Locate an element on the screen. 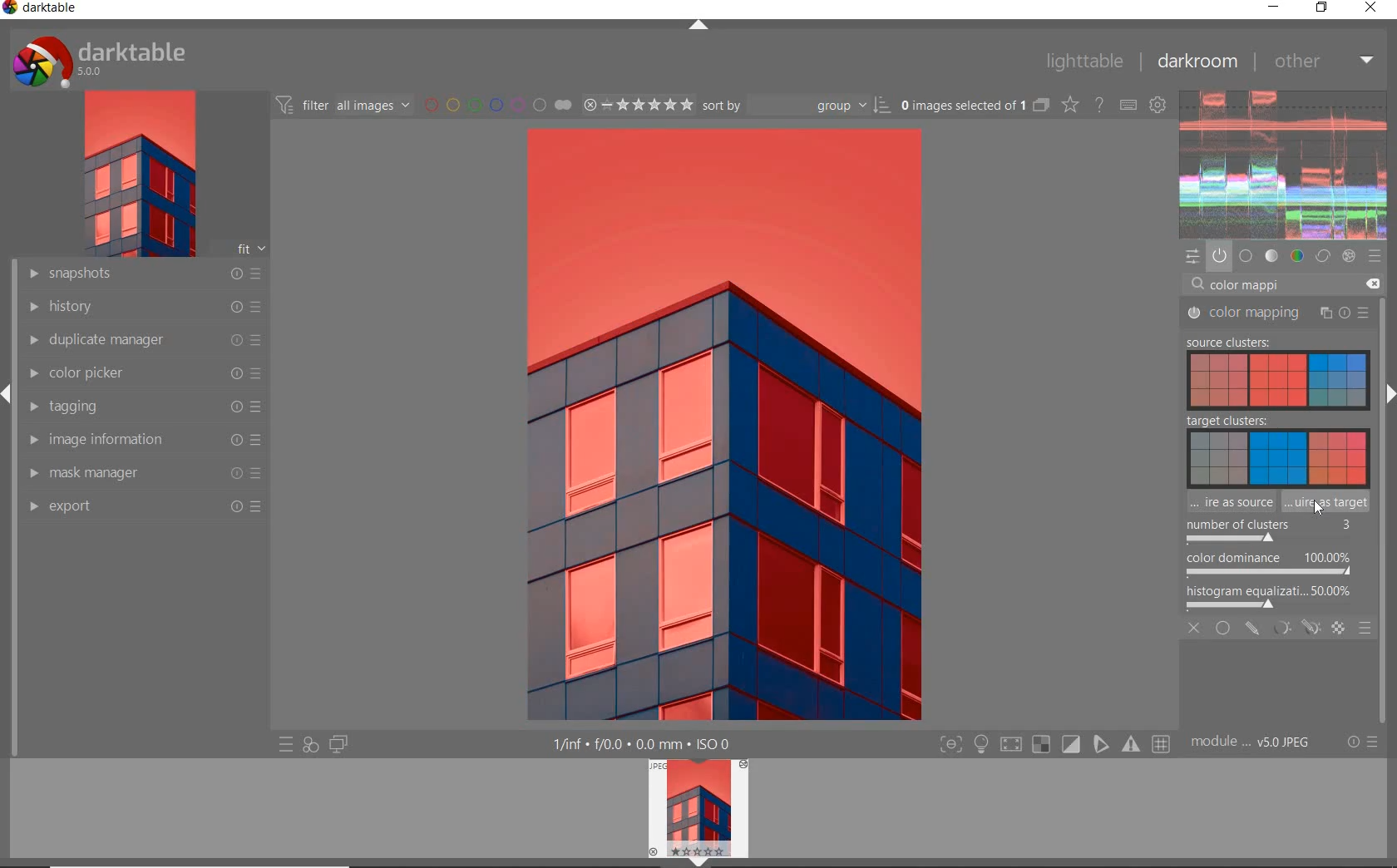  export is located at coordinates (144, 507).